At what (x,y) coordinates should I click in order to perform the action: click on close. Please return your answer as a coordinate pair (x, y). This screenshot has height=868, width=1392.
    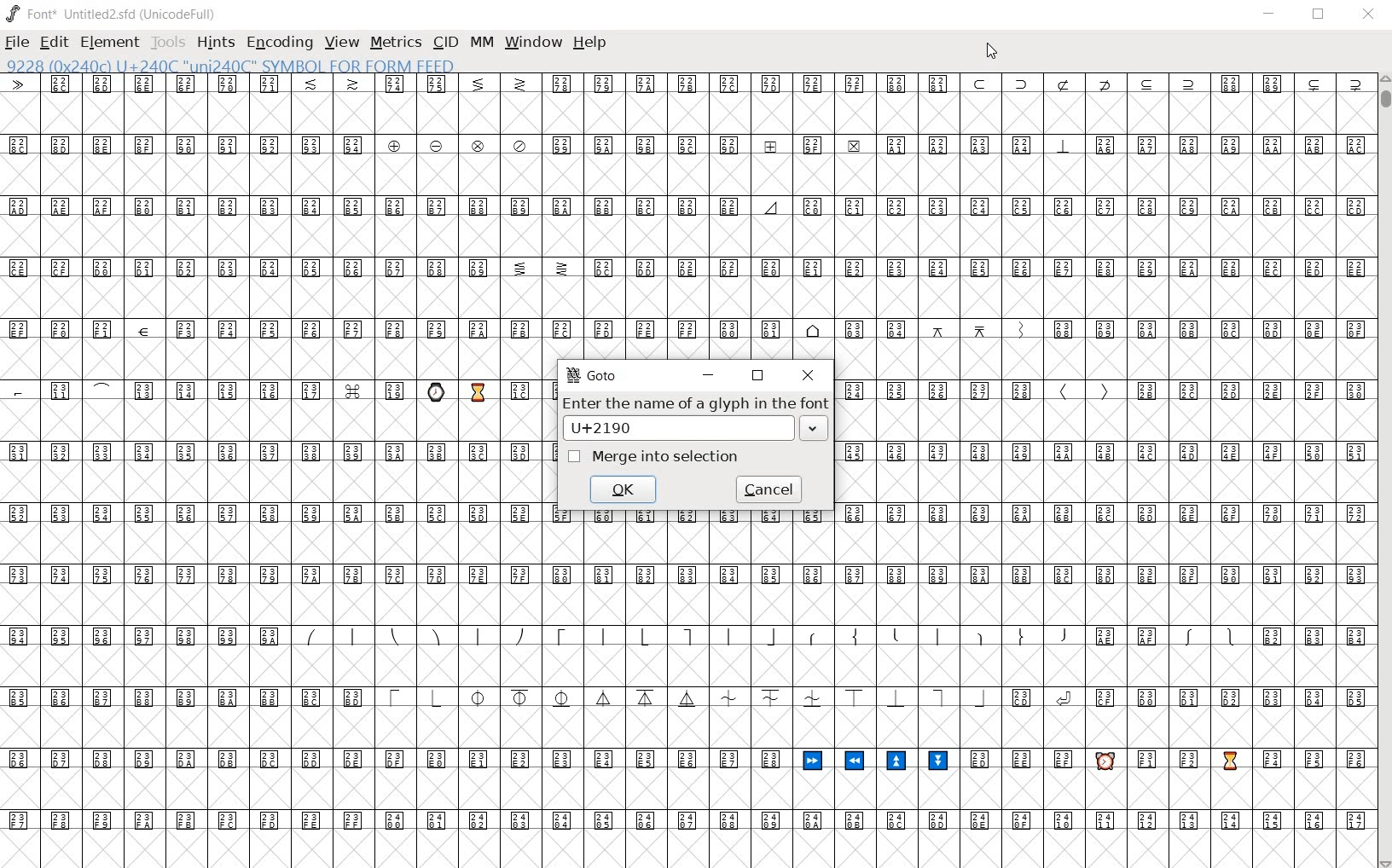
    Looking at the image, I should click on (1368, 16).